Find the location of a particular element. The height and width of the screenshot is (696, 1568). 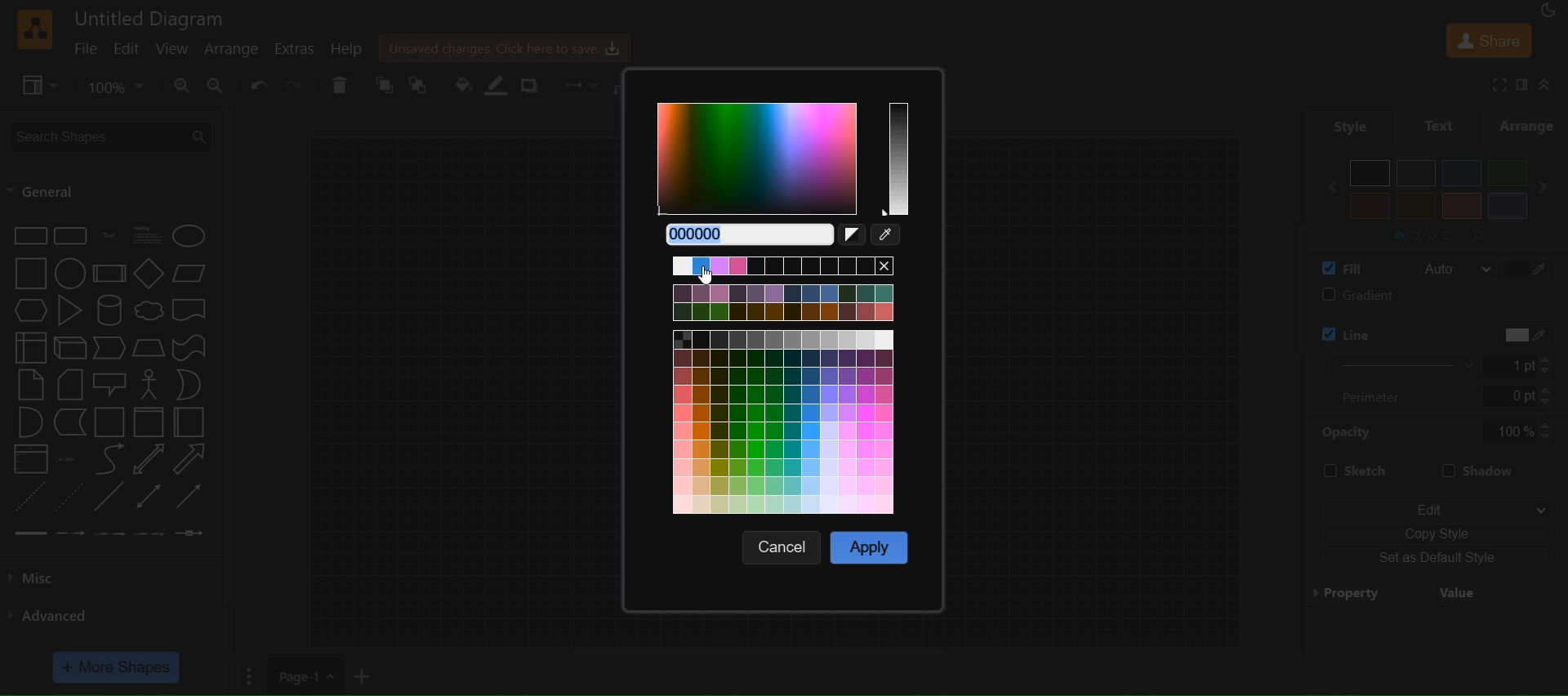

arrow is located at coordinates (189, 459).